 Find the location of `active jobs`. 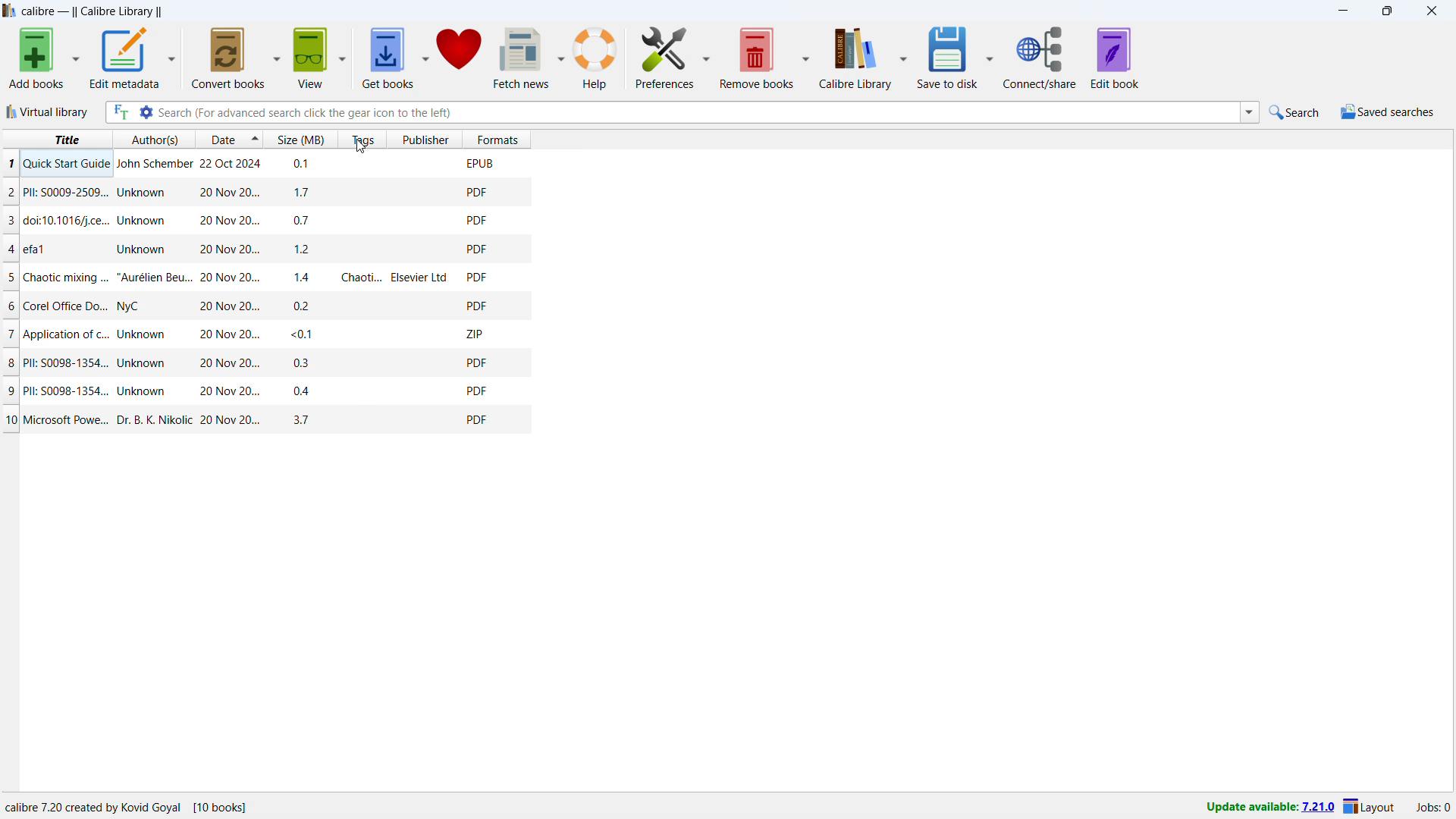

active jobs is located at coordinates (1432, 805).